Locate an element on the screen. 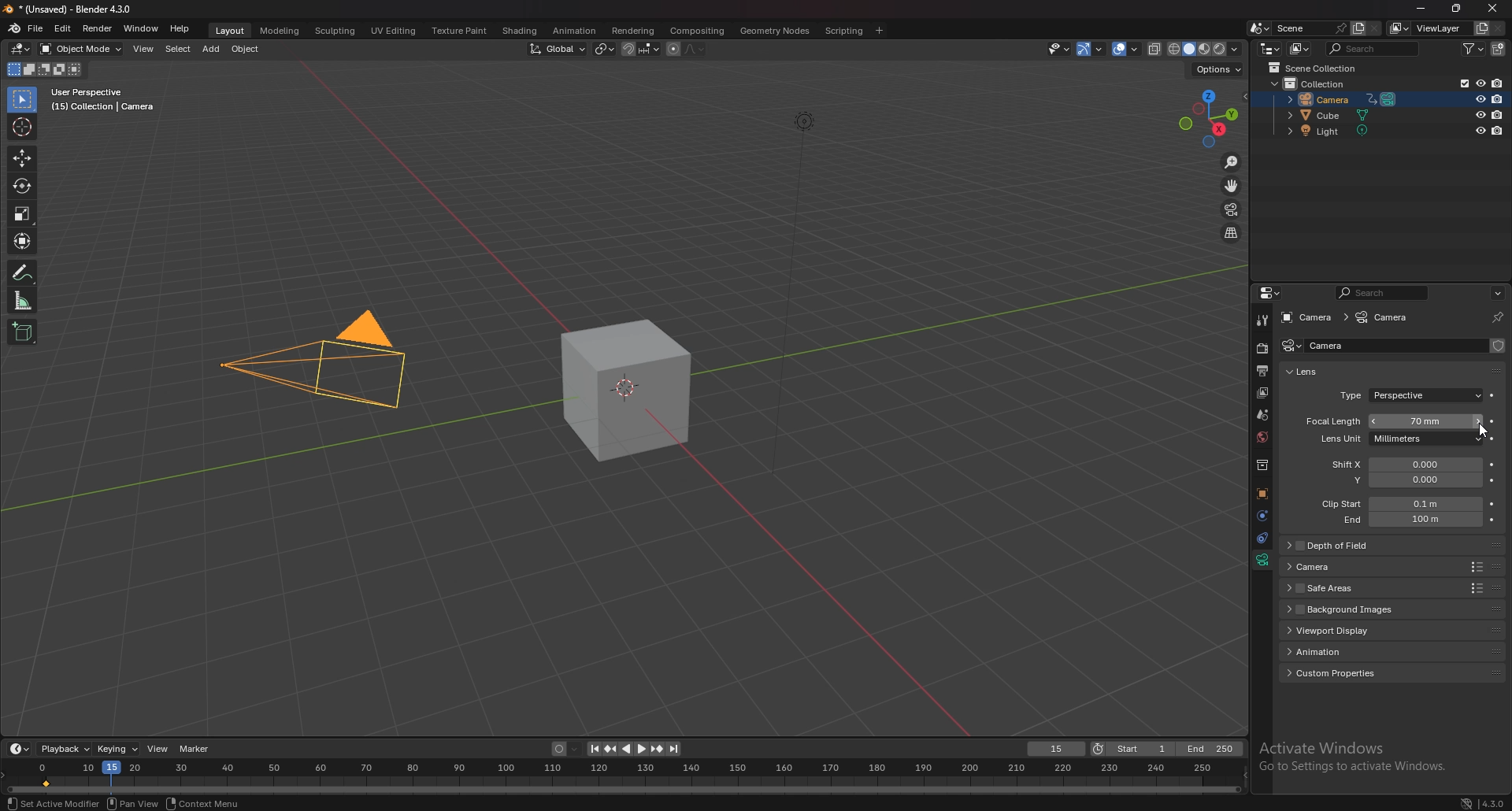 This screenshot has height=811, width=1512.  is located at coordinates (784, 294).